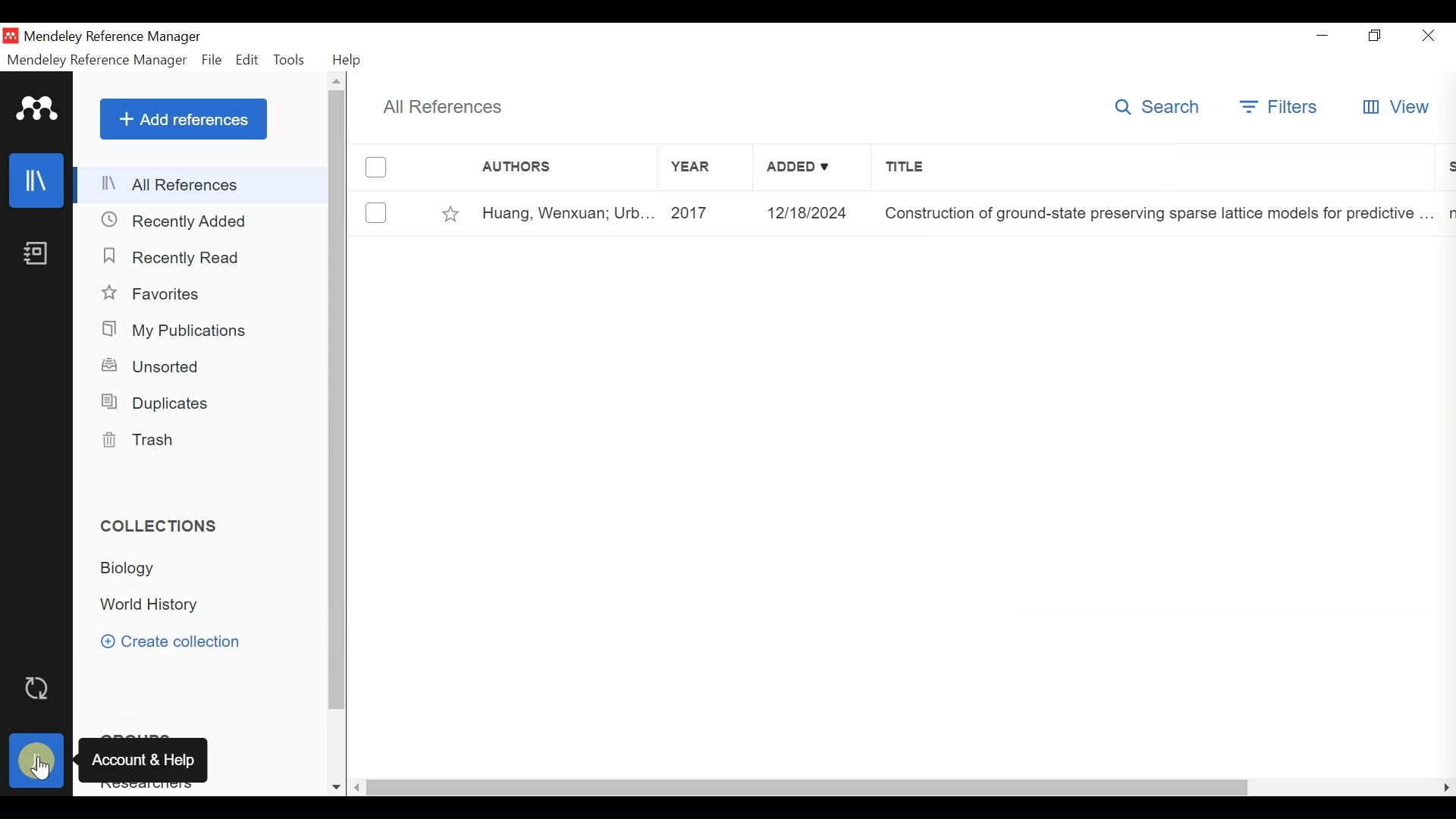 This screenshot has height=819, width=1456. Describe the element at coordinates (566, 214) in the screenshot. I see `Huang, Wenxuan; Urb...` at that location.